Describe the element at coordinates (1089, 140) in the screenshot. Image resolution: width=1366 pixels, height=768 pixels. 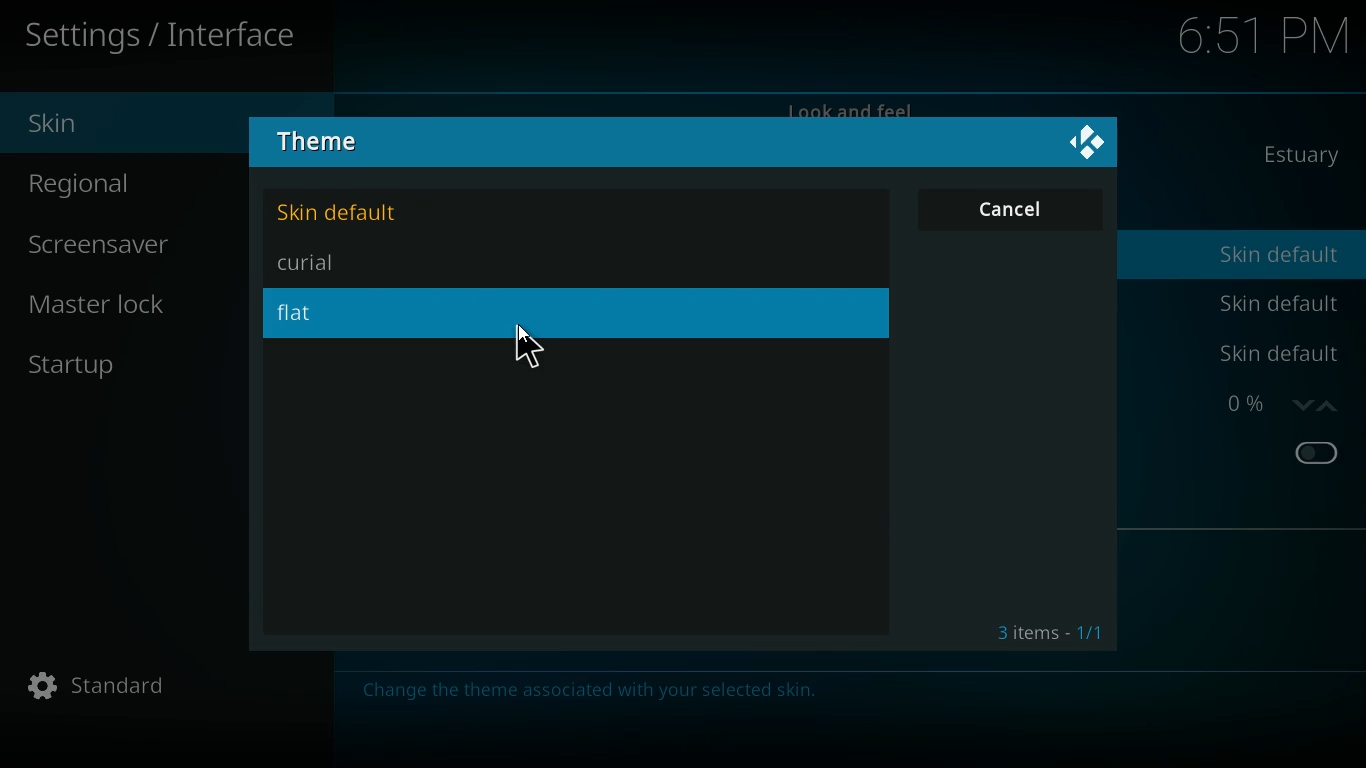
I see `kodi` at that location.